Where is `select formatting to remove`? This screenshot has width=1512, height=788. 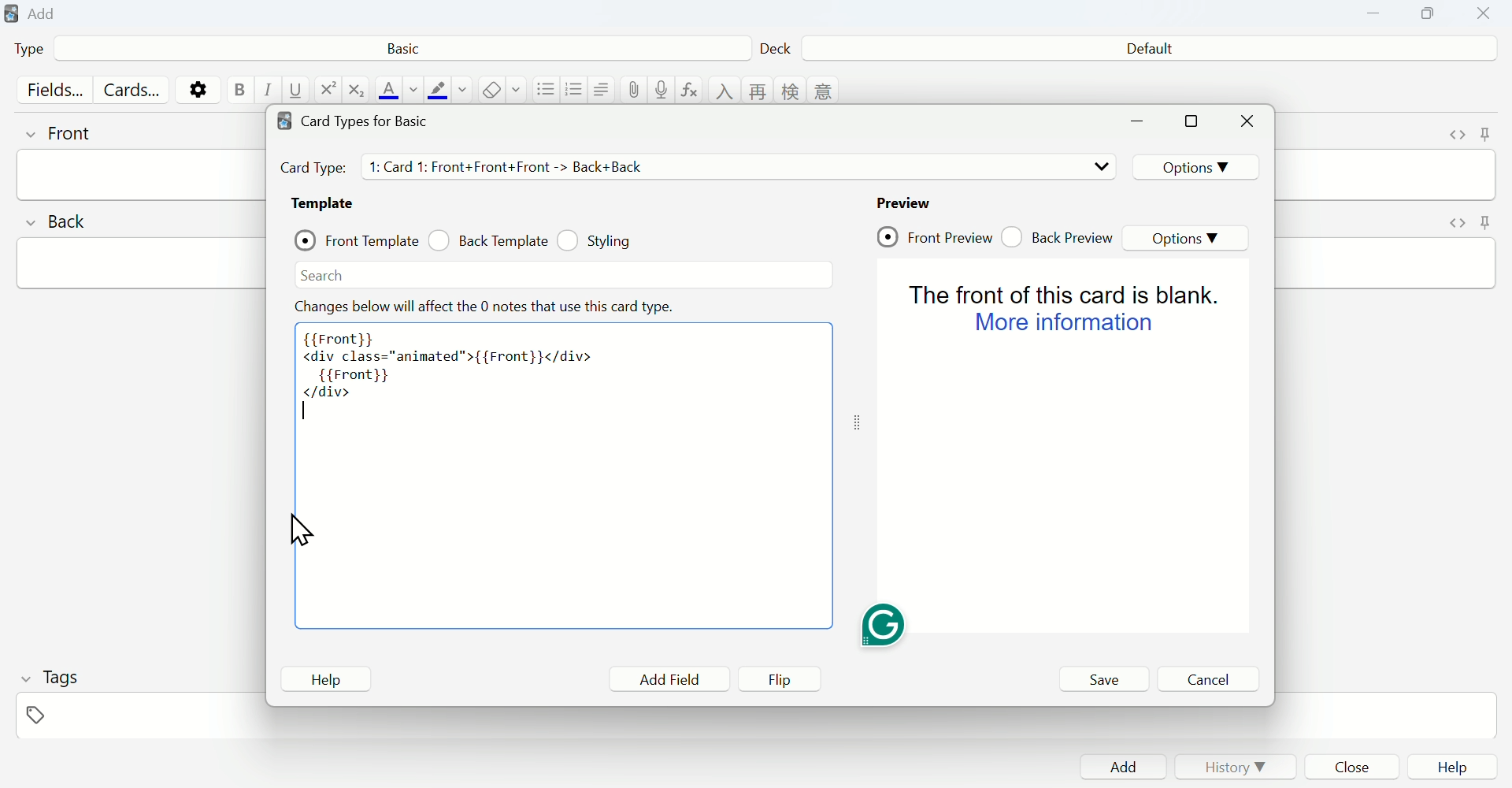
select formatting to remove is located at coordinates (517, 90).